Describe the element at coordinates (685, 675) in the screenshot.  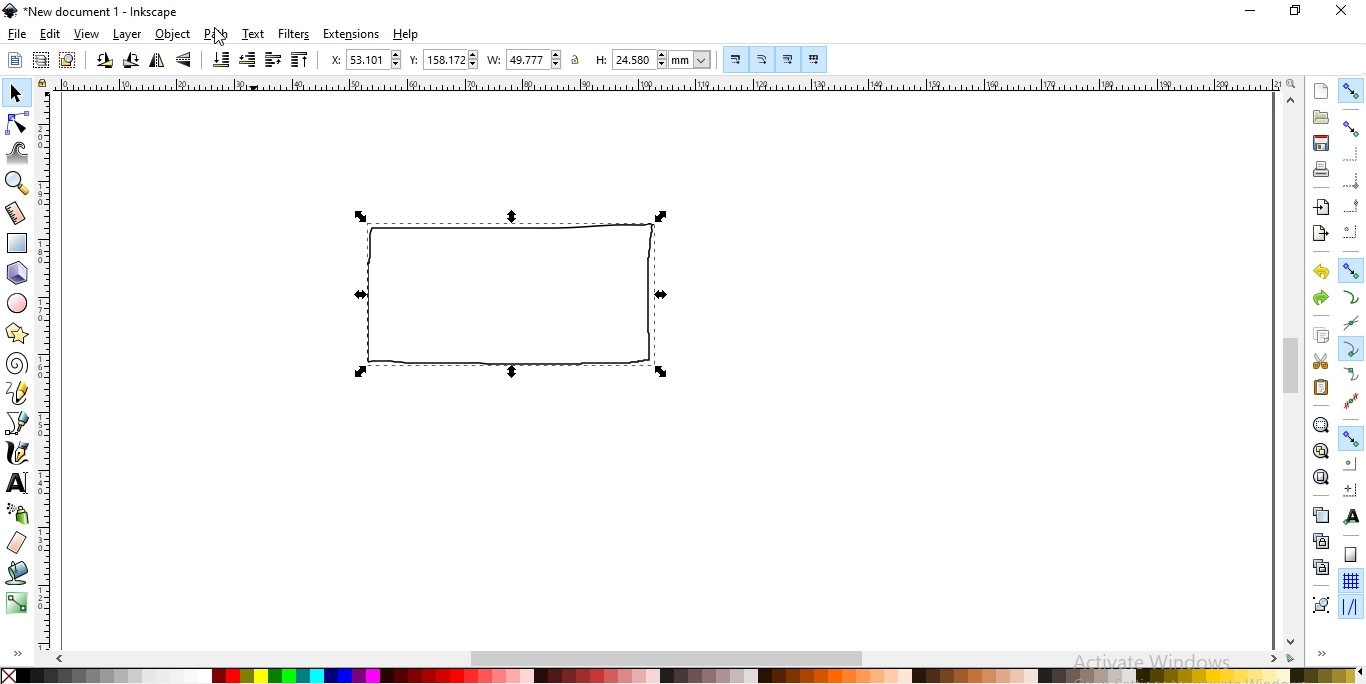
I see ` color` at that location.